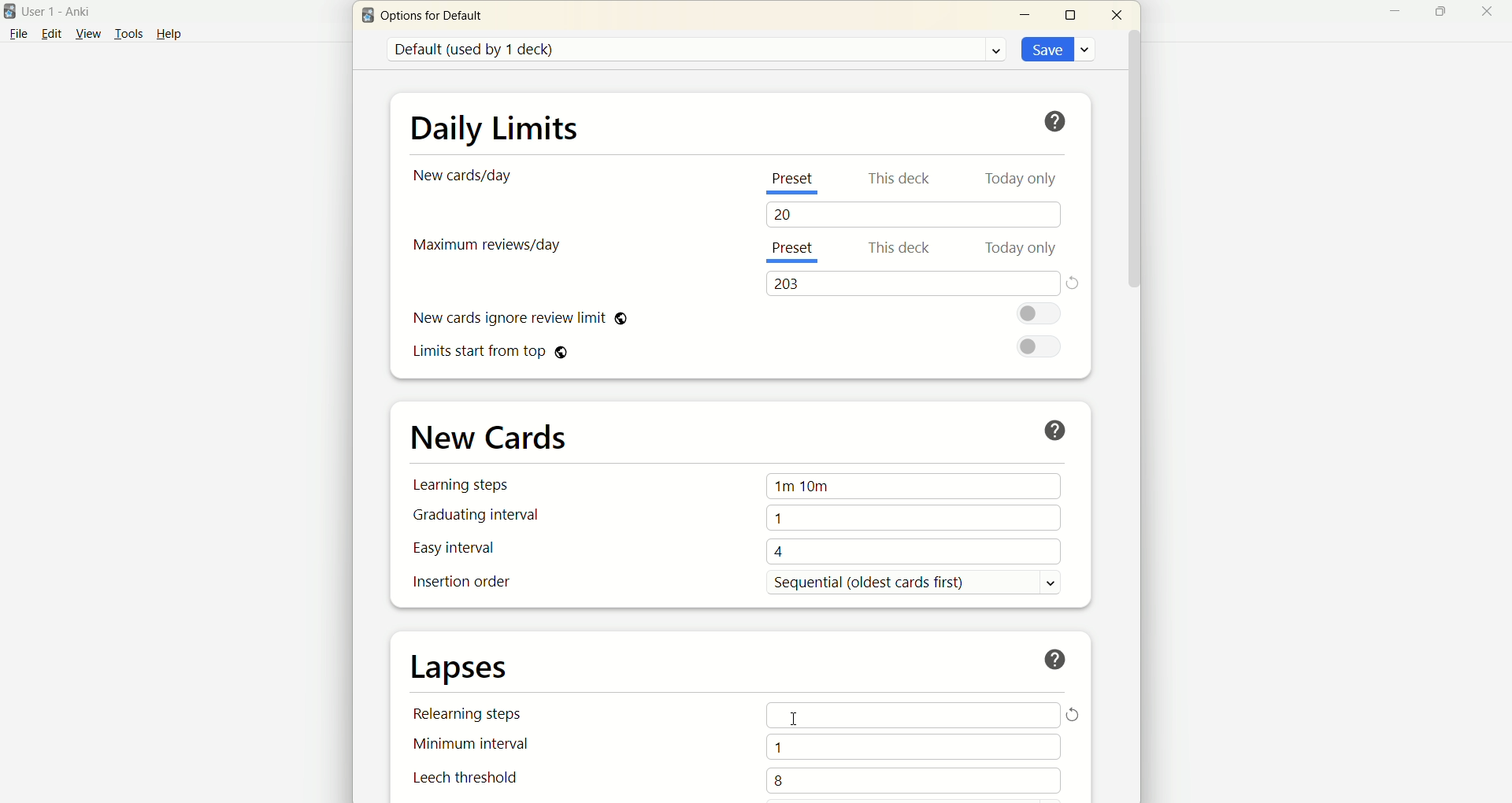 The image size is (1512, 803). What do you see at coordinates (490, 248) in the screenshot?
I see `maximum reviews/day` at bounding box center [490, 248].